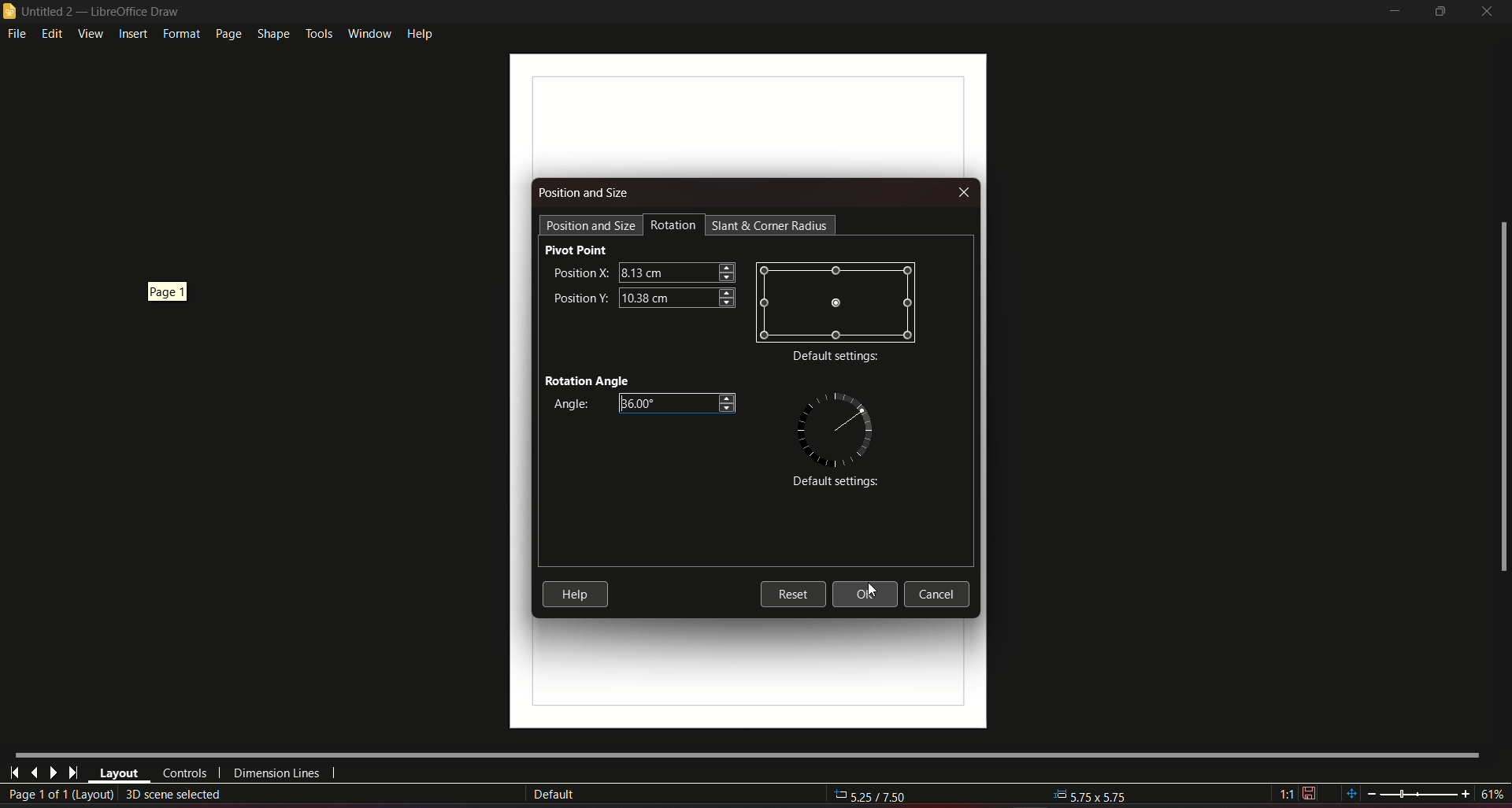 This screenshot has width=1512, height=808. What do you see at coordinates (576, 250) in the screenshot?
I see `Pivot Point` at bounding box center [576, 250].